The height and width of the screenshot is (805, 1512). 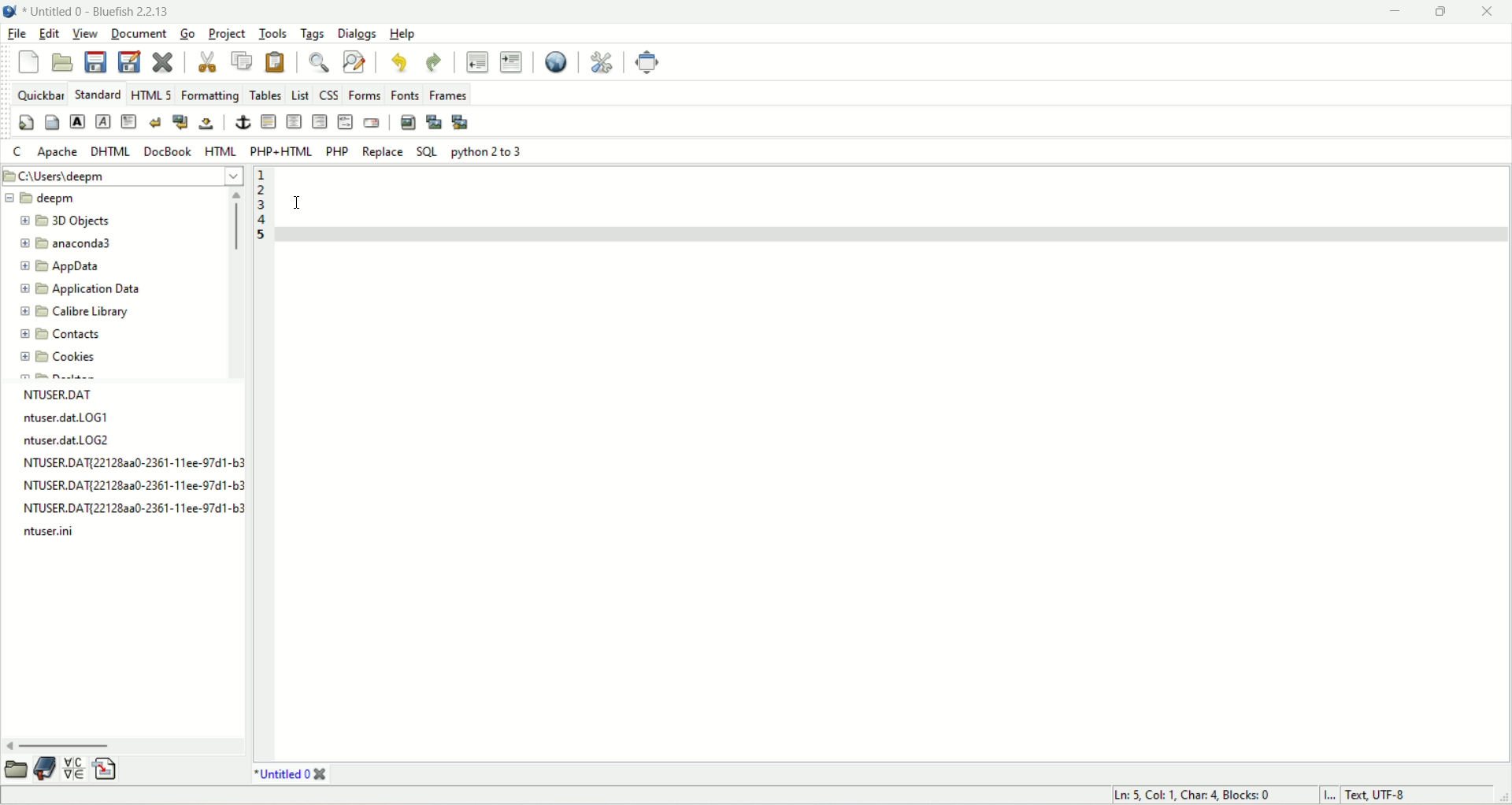 I want to click on standard, so click(x=98, y=95).